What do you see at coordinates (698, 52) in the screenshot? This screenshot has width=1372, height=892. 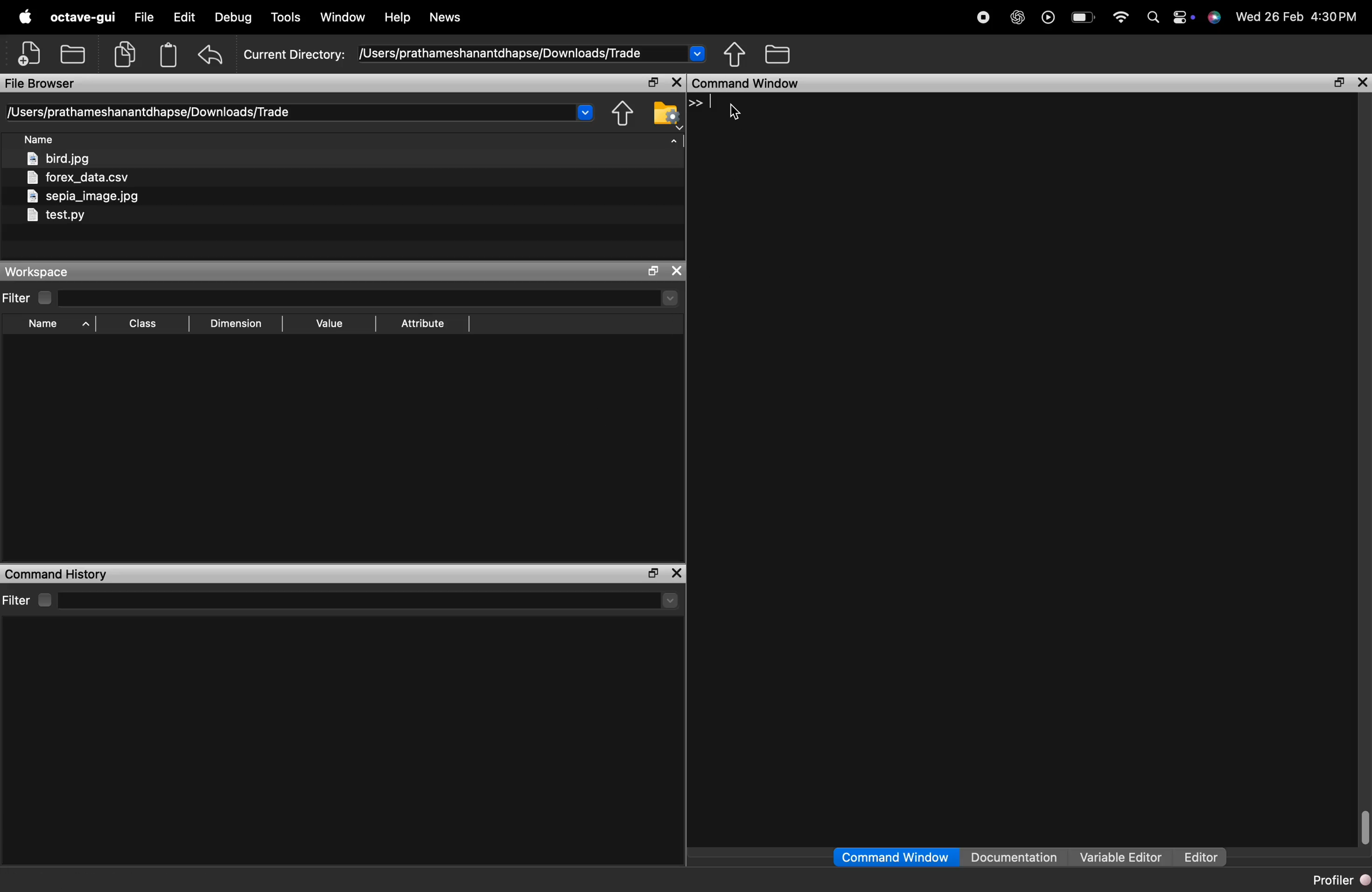 I see `Drop-down ` at bounding box center [698, 52].